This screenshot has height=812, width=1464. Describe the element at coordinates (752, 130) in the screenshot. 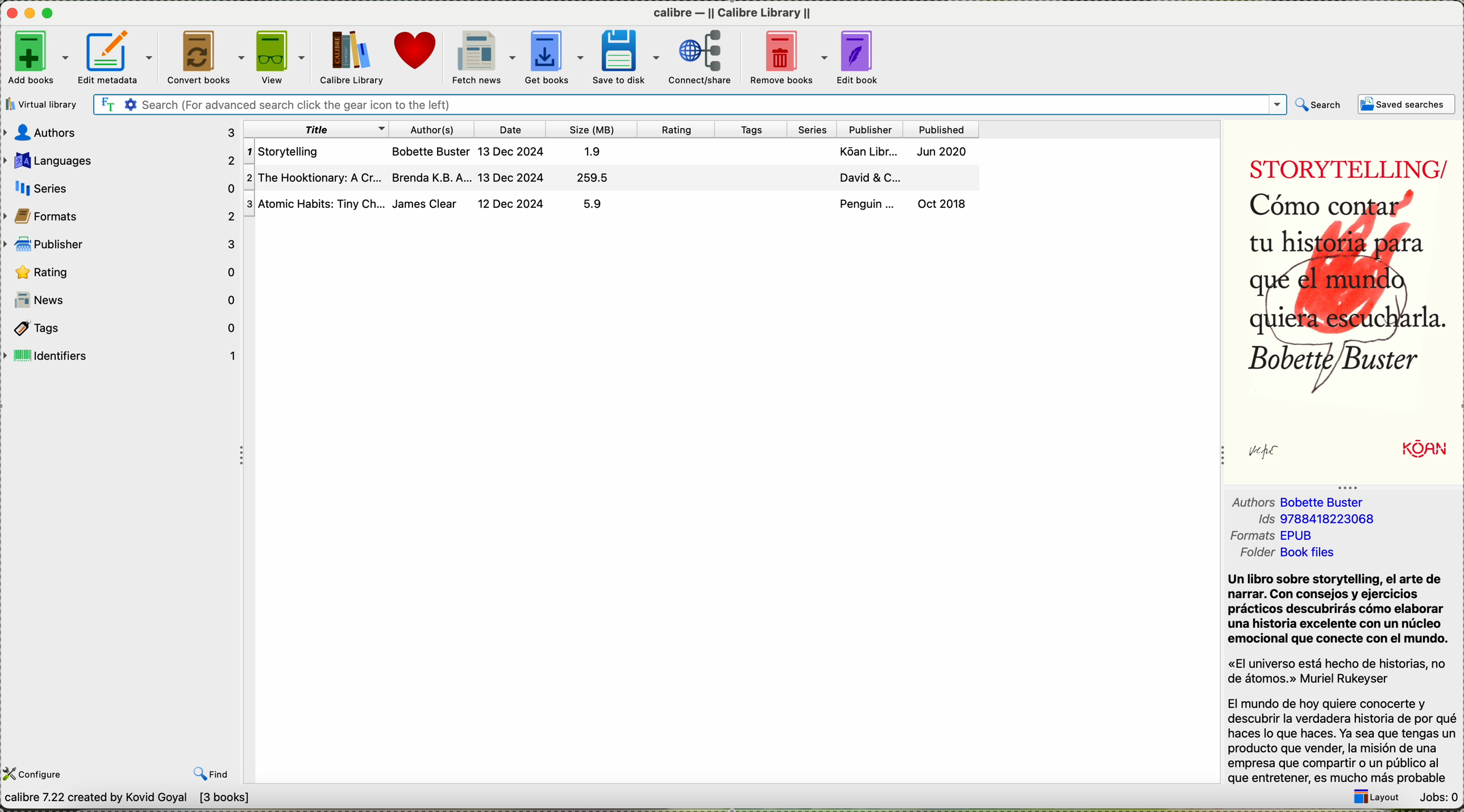

I see `tags` at that location.